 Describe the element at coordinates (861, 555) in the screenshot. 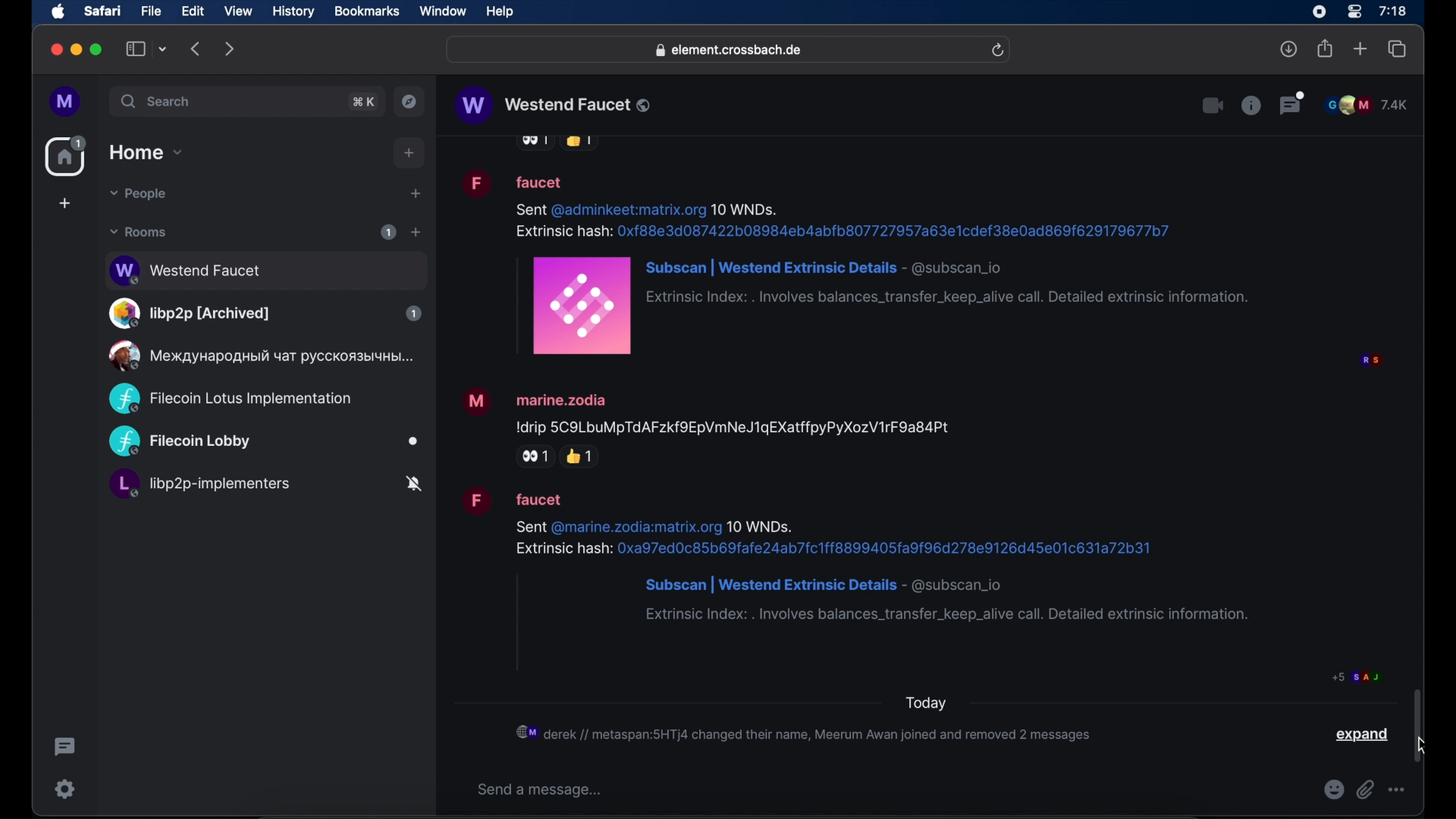

I see `message` at that location.